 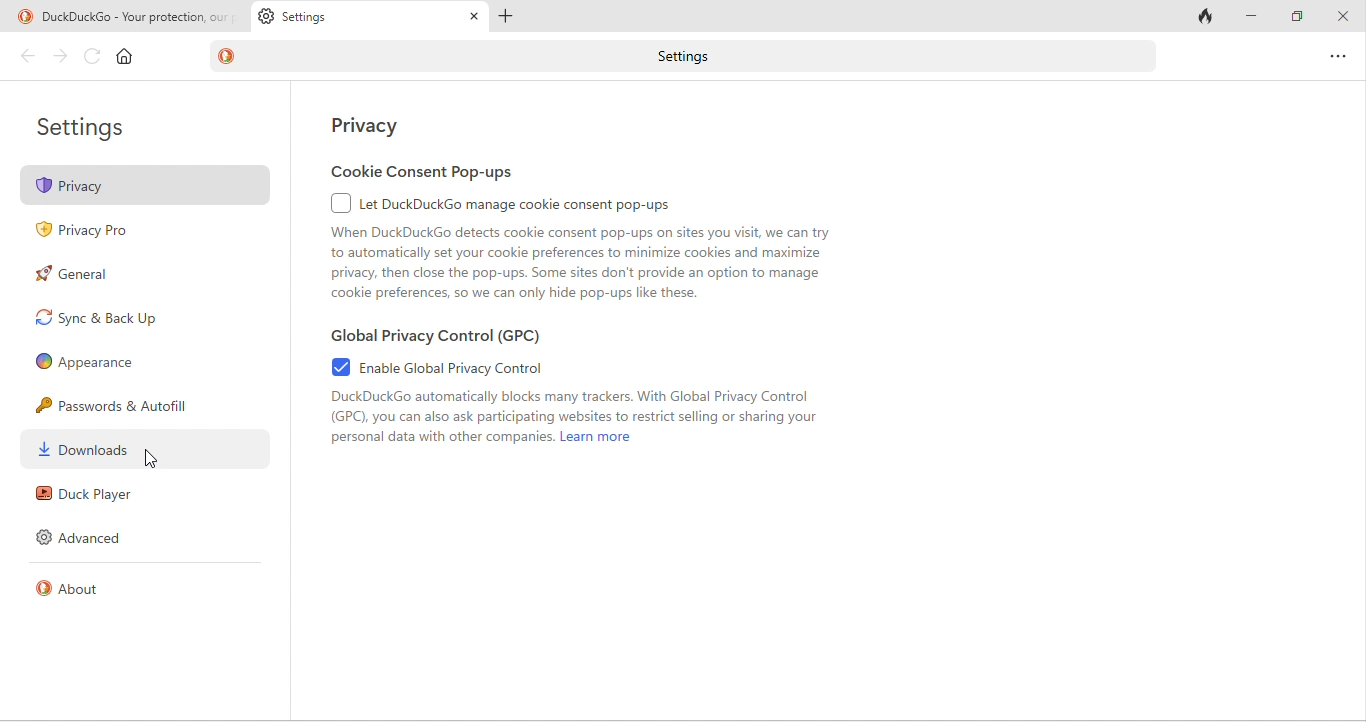 I want to click on tab, so click(x=372, y=19).